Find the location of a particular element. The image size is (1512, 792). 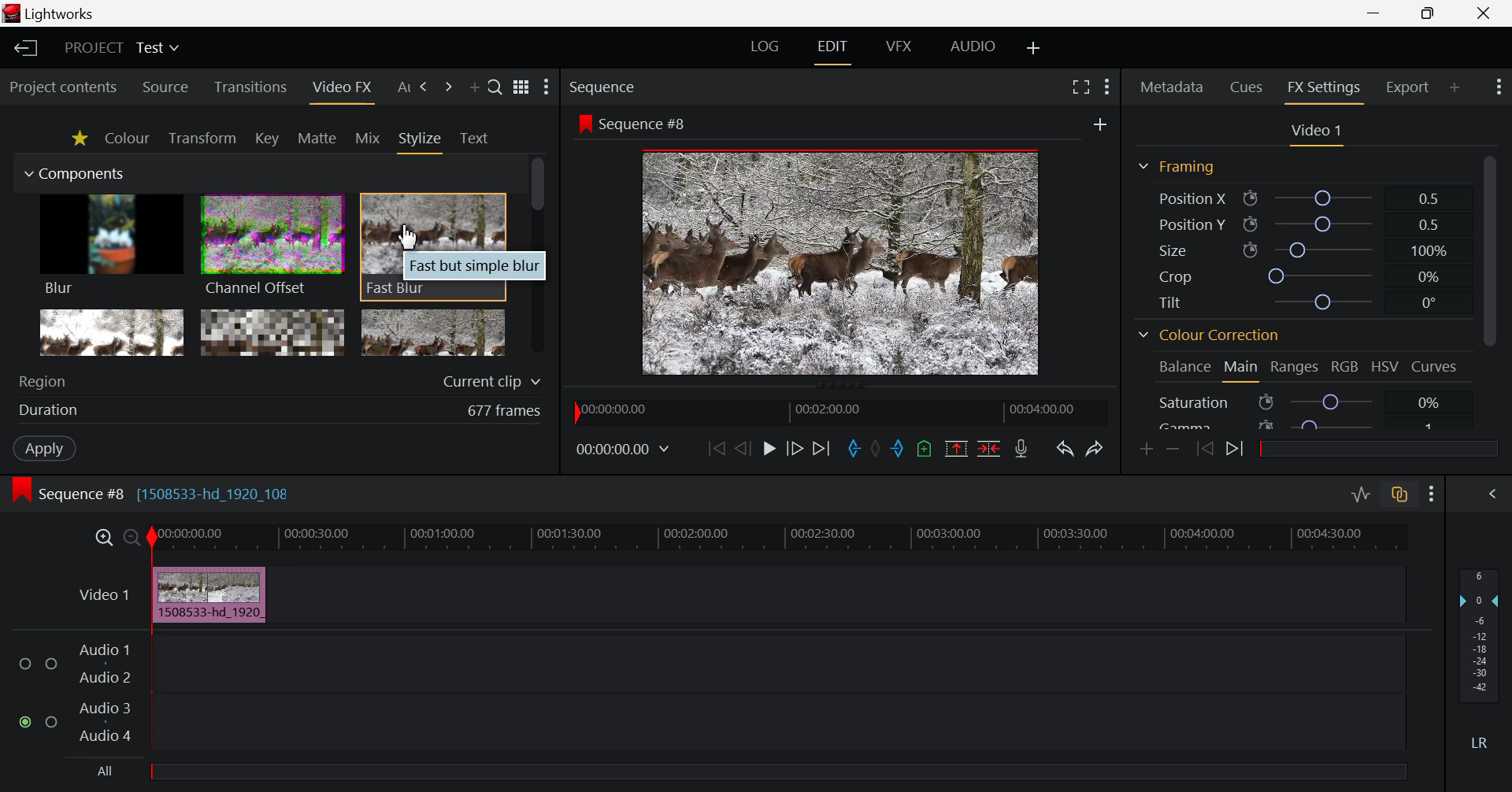

Frame Time is located at coordinates (624, 448).